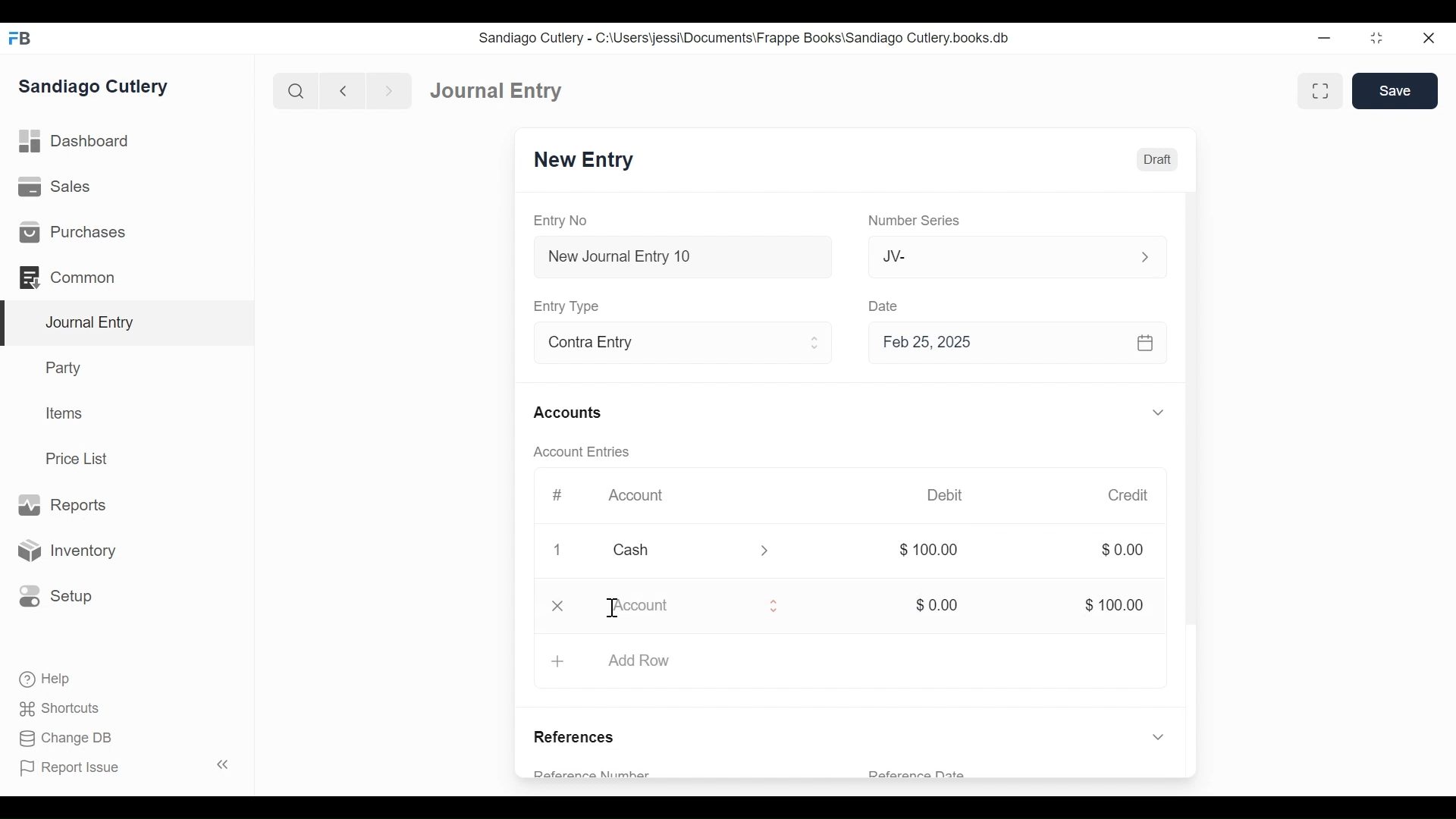 This screenshot has width=1456, height=819. What do you see at coordinates (998, 256) in the screenshot?
I see `JV-` at bounding box center [998, 256].